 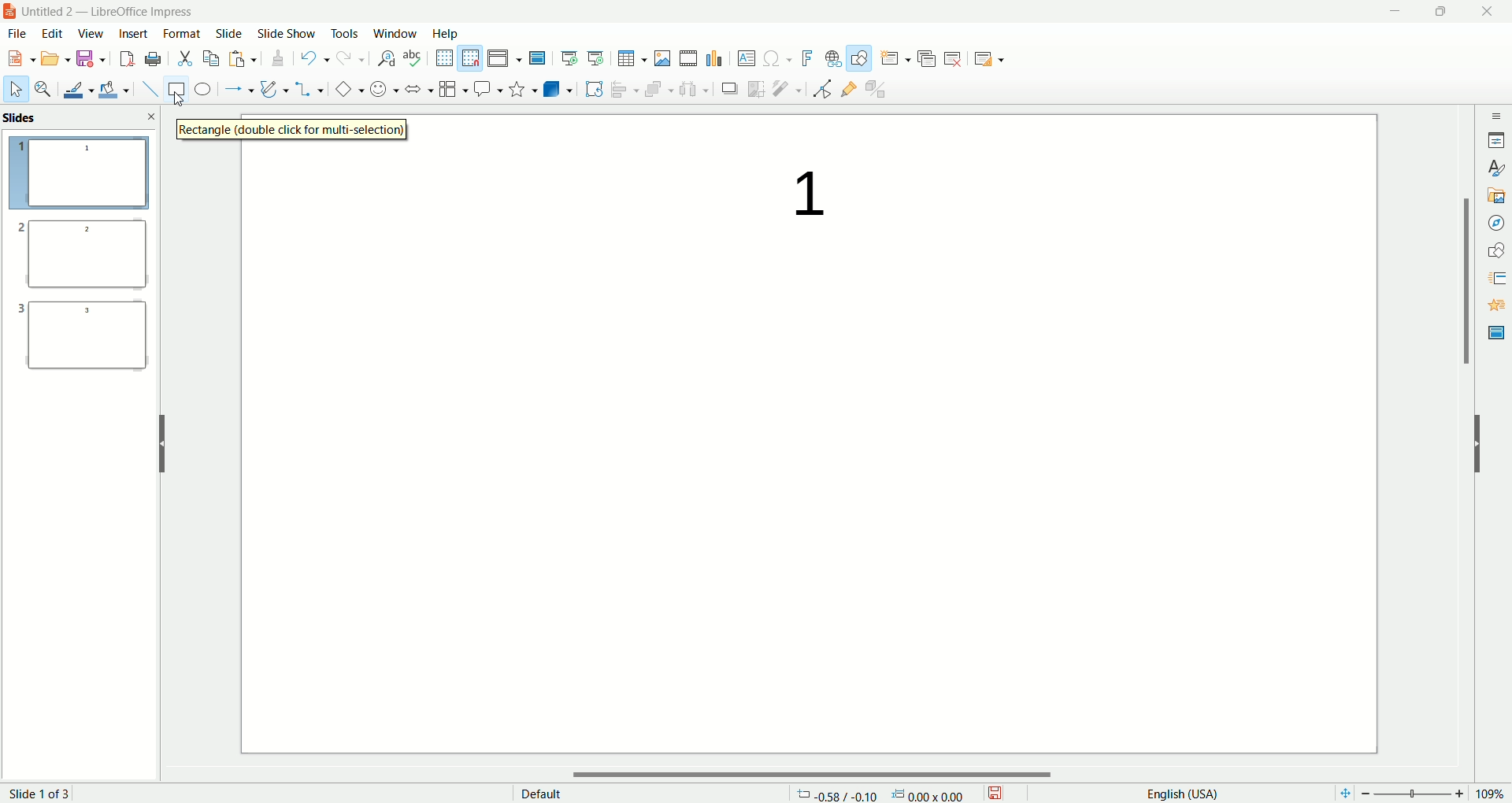 What do you see at coordinates (895, 57) in the screenshot?
I see `new slide` at bounding box center [895, 57].